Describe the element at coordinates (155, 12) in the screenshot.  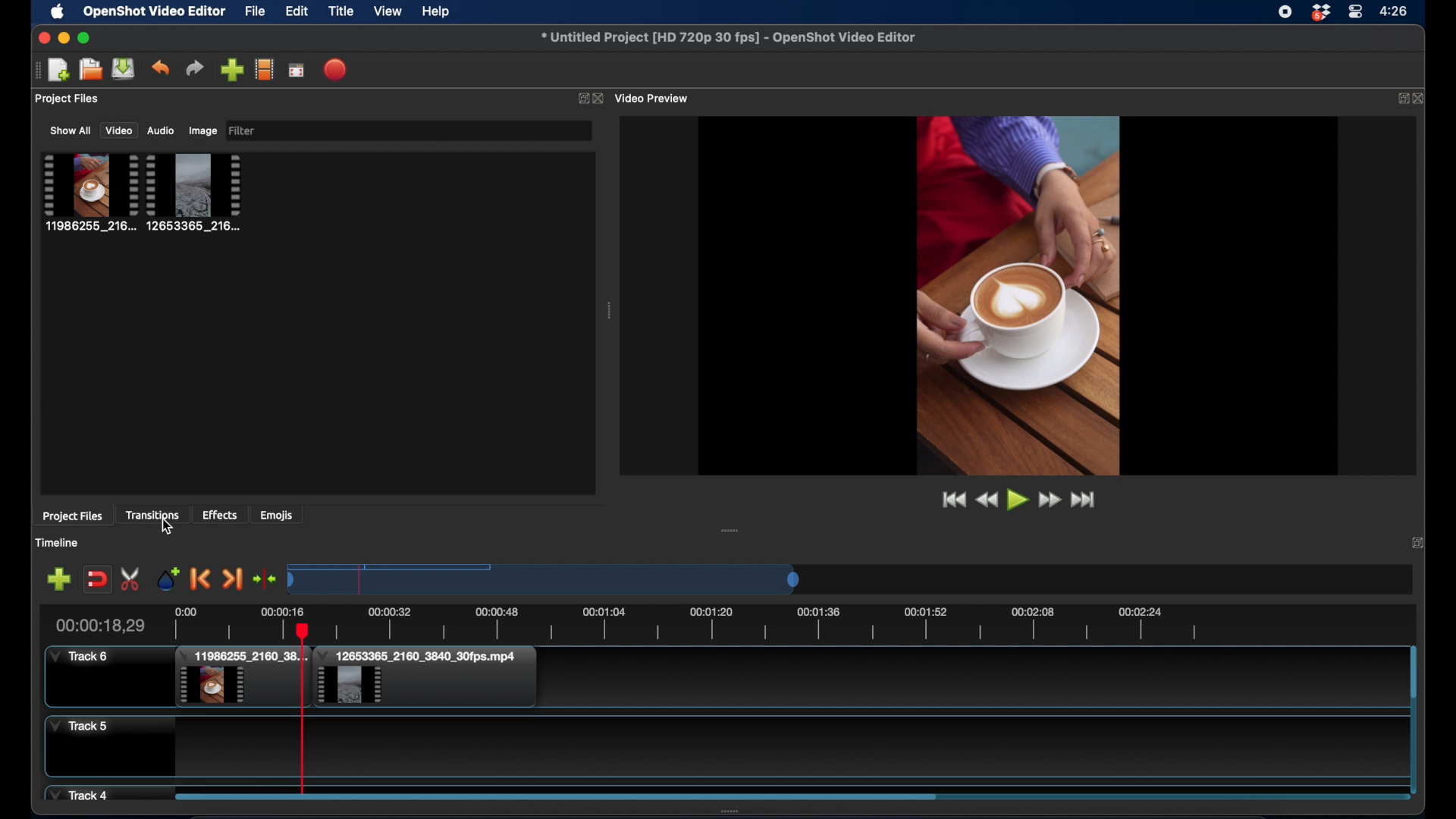
I see `openshot video editor` at that location.